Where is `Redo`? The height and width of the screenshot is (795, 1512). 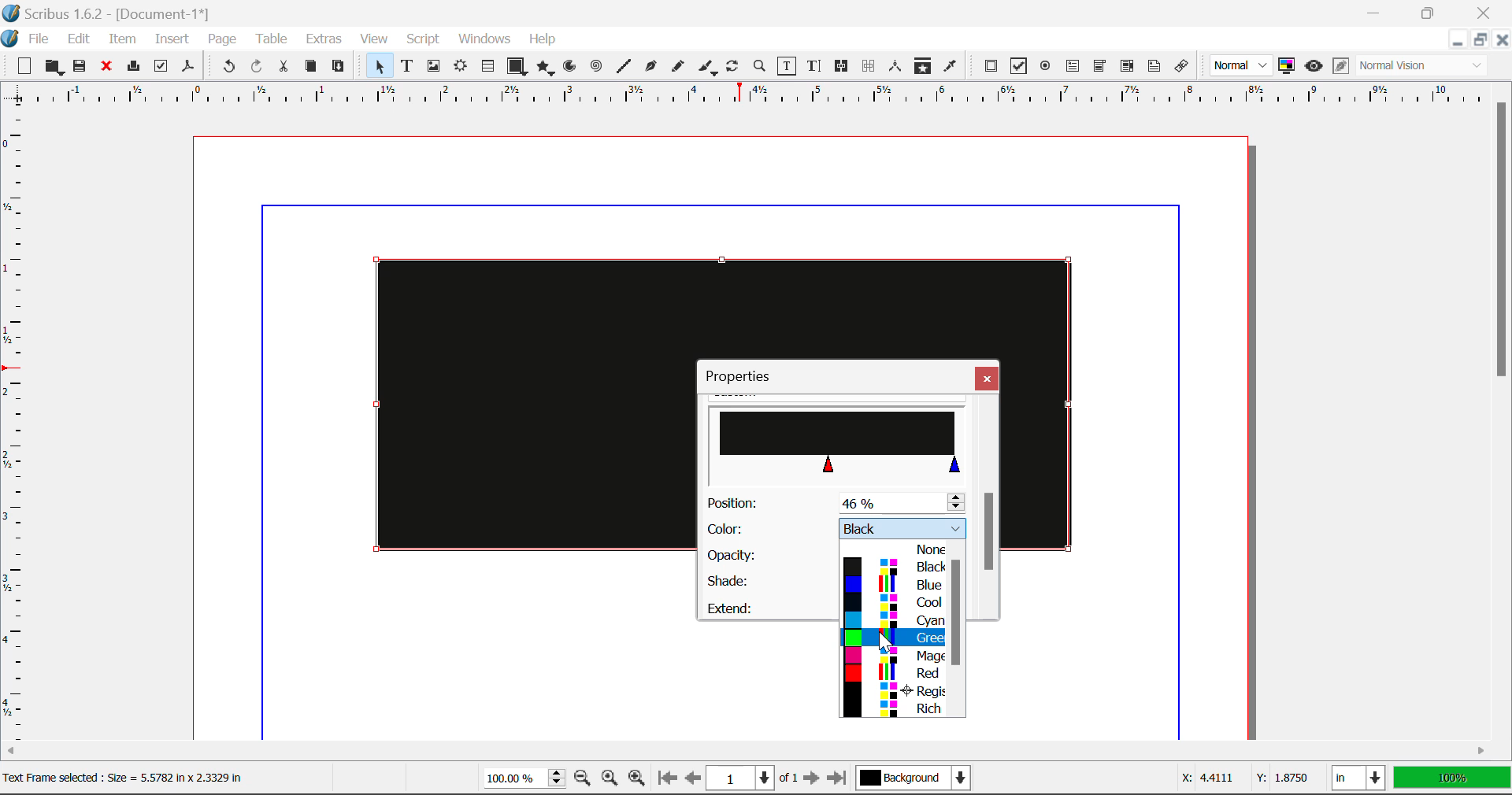
Redo is located at coordinates (257, 68).